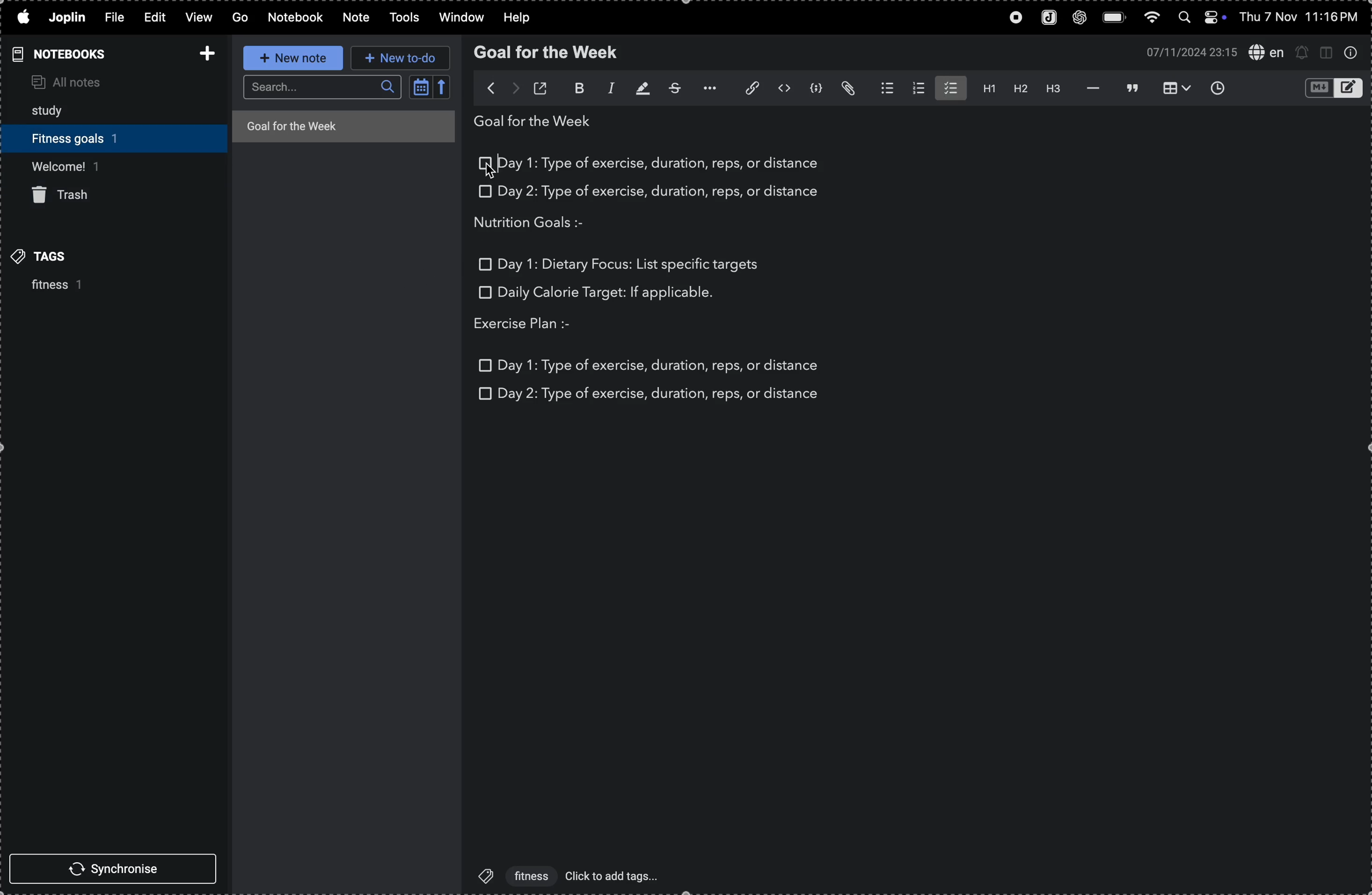  I want to click on file, so click(118, 18).